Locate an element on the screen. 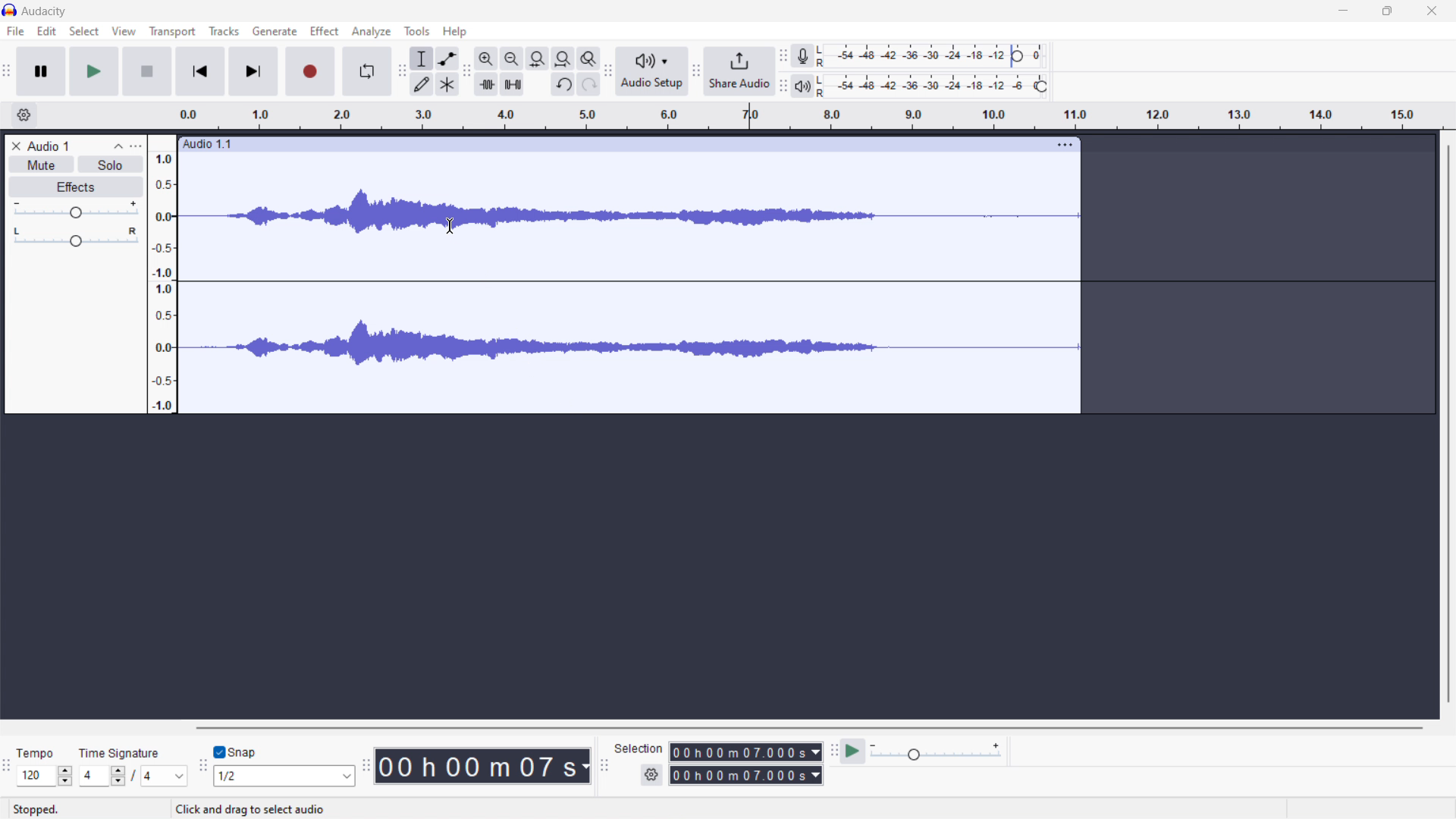  undo is located at coordinates (563, 83).